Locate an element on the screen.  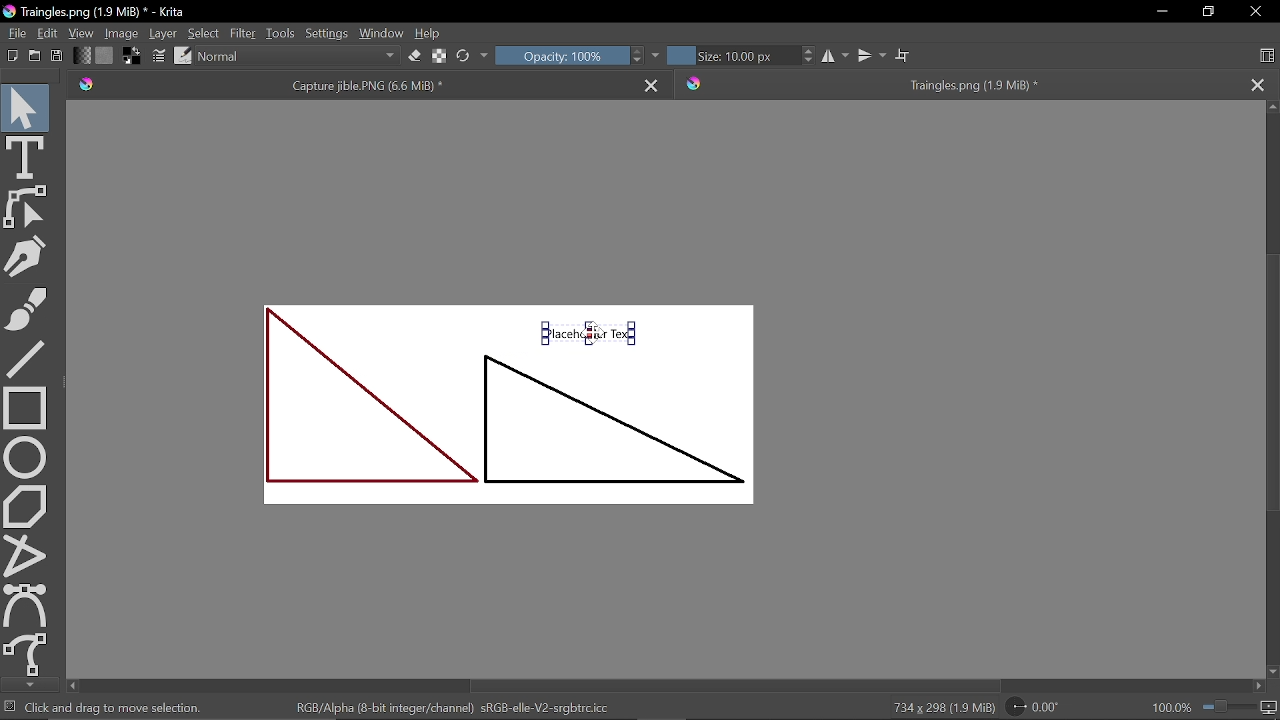
Filter is located at coordinates (242, 33).